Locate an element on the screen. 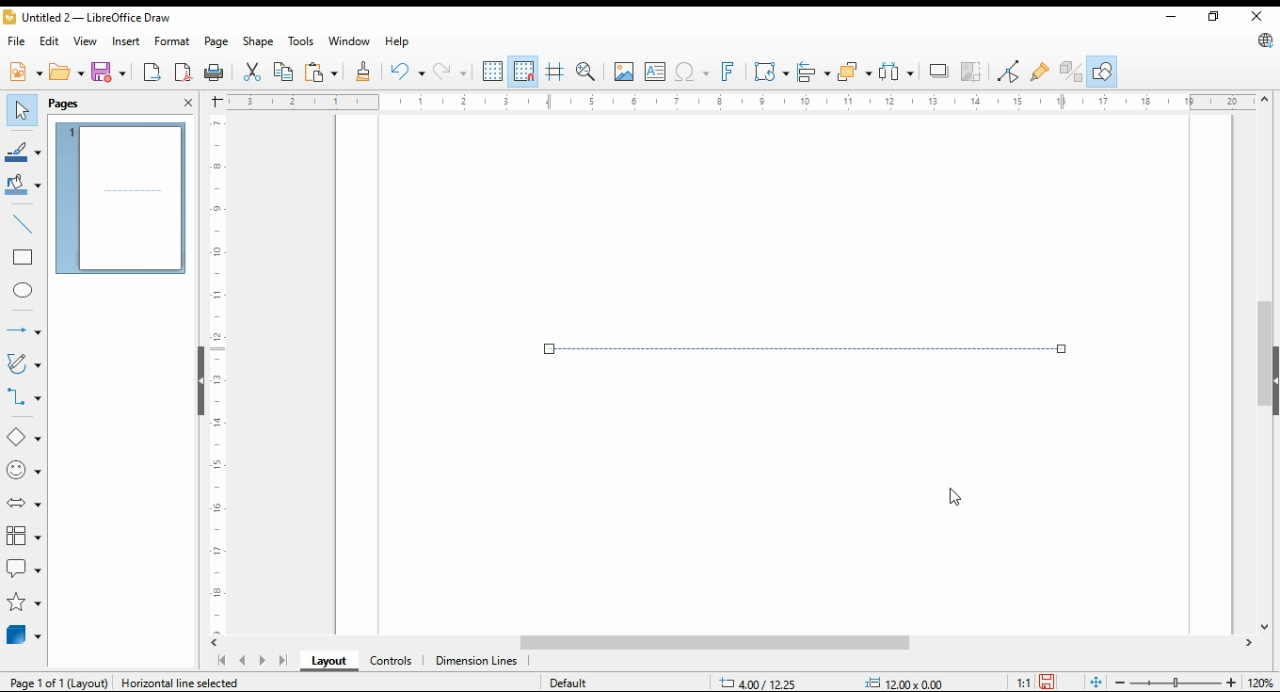 Image resolution: width=1280 pixels, height=692 pixels. copy is located at coordinates (285, 71).